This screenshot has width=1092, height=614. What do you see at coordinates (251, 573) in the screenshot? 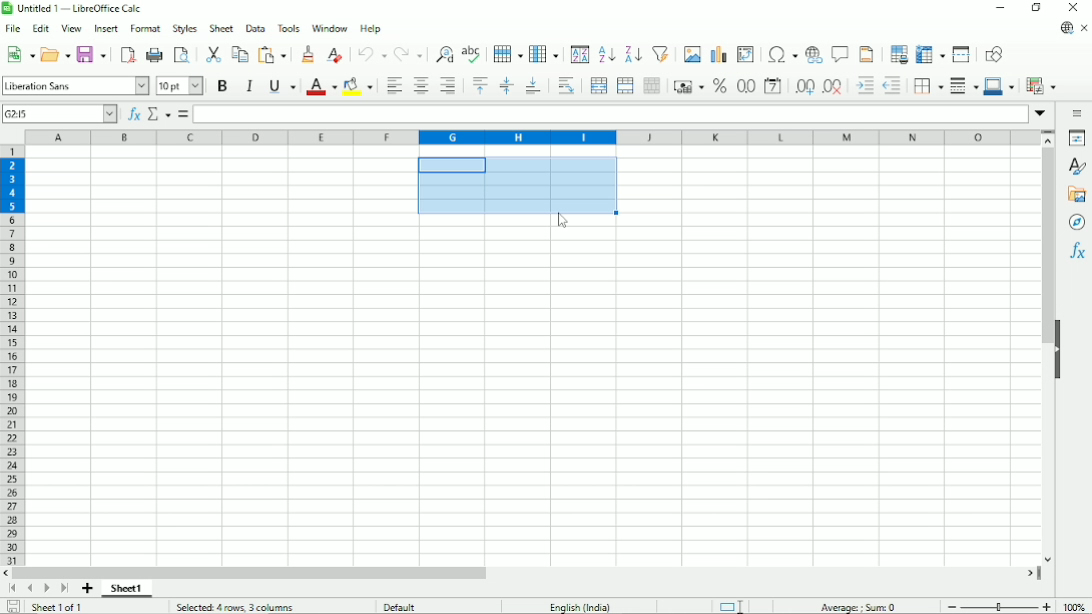
I see `Horizontal scrollbar` at bounding box center [251, 573].